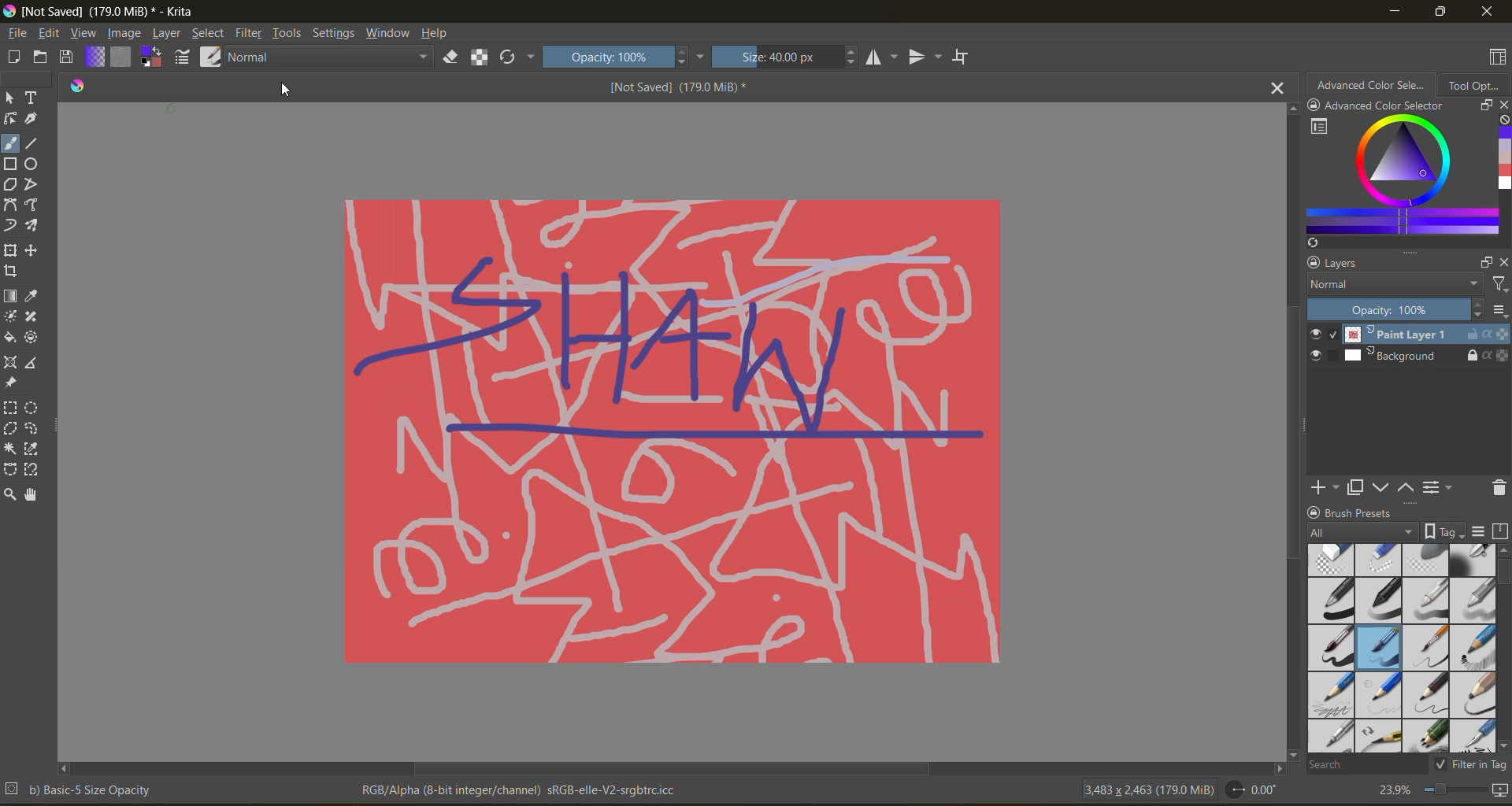  What do you see at coordinates (287, 33) in the screenshot?
I see `tools` at bounding box center [287, 33].